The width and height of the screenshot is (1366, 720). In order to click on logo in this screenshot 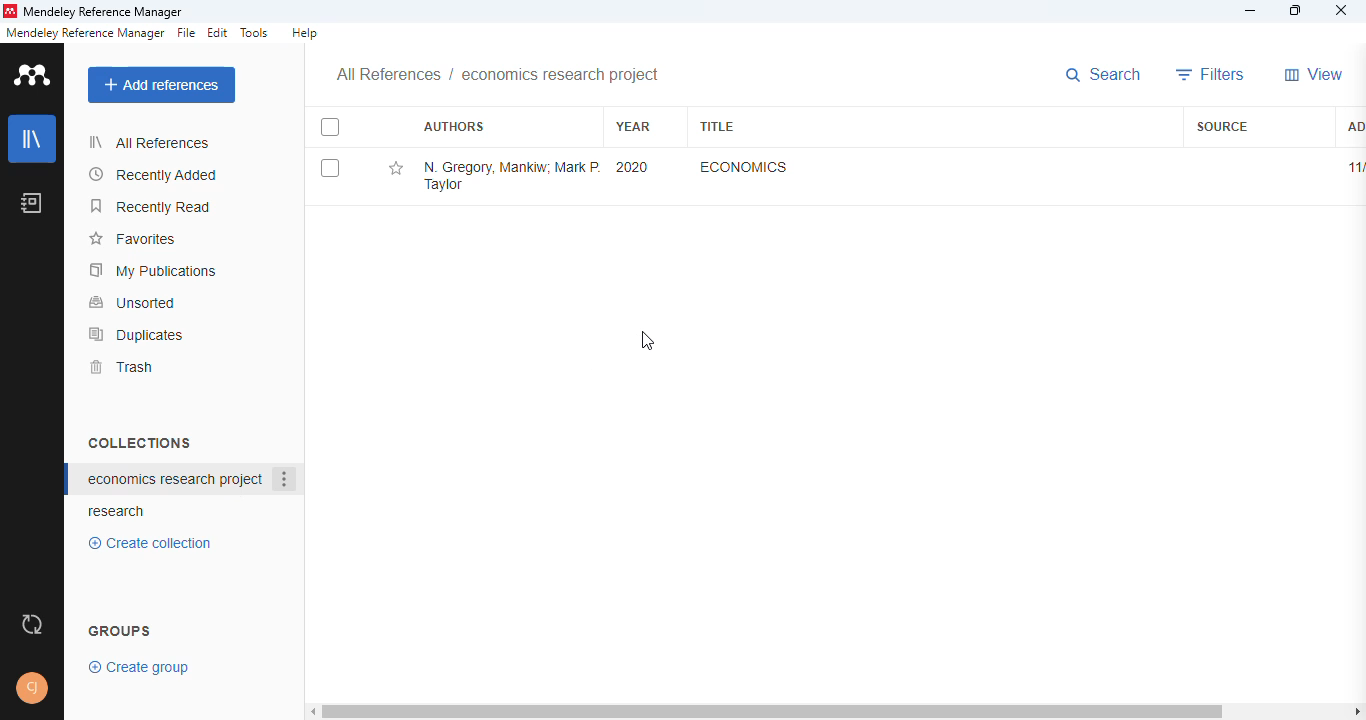, I will do `click(34, 74)`.